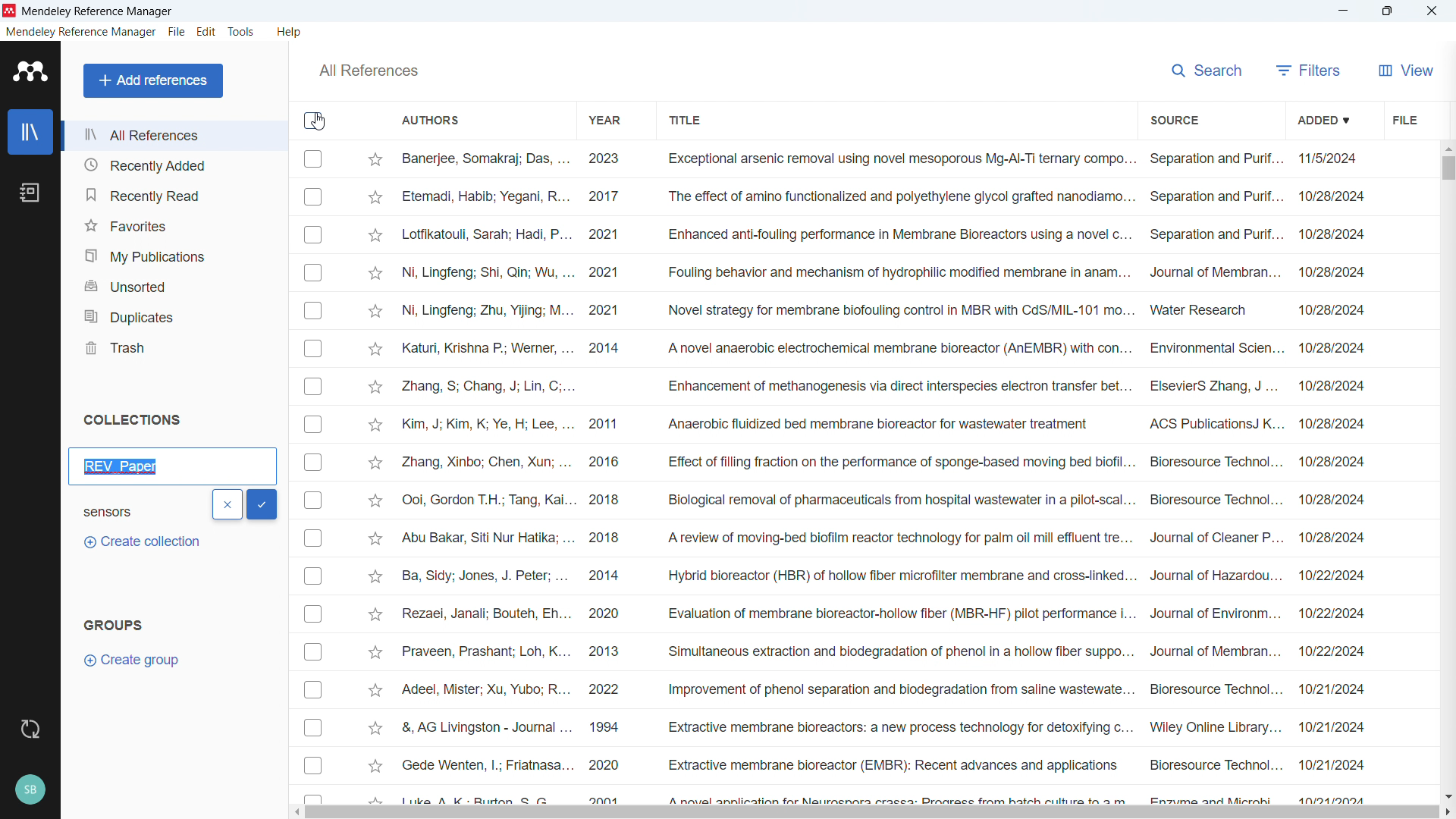  What do you see at coordinates (375, 728) in the screenshot?
I see `Star mark respective publication` at bounding box center [375, 728].